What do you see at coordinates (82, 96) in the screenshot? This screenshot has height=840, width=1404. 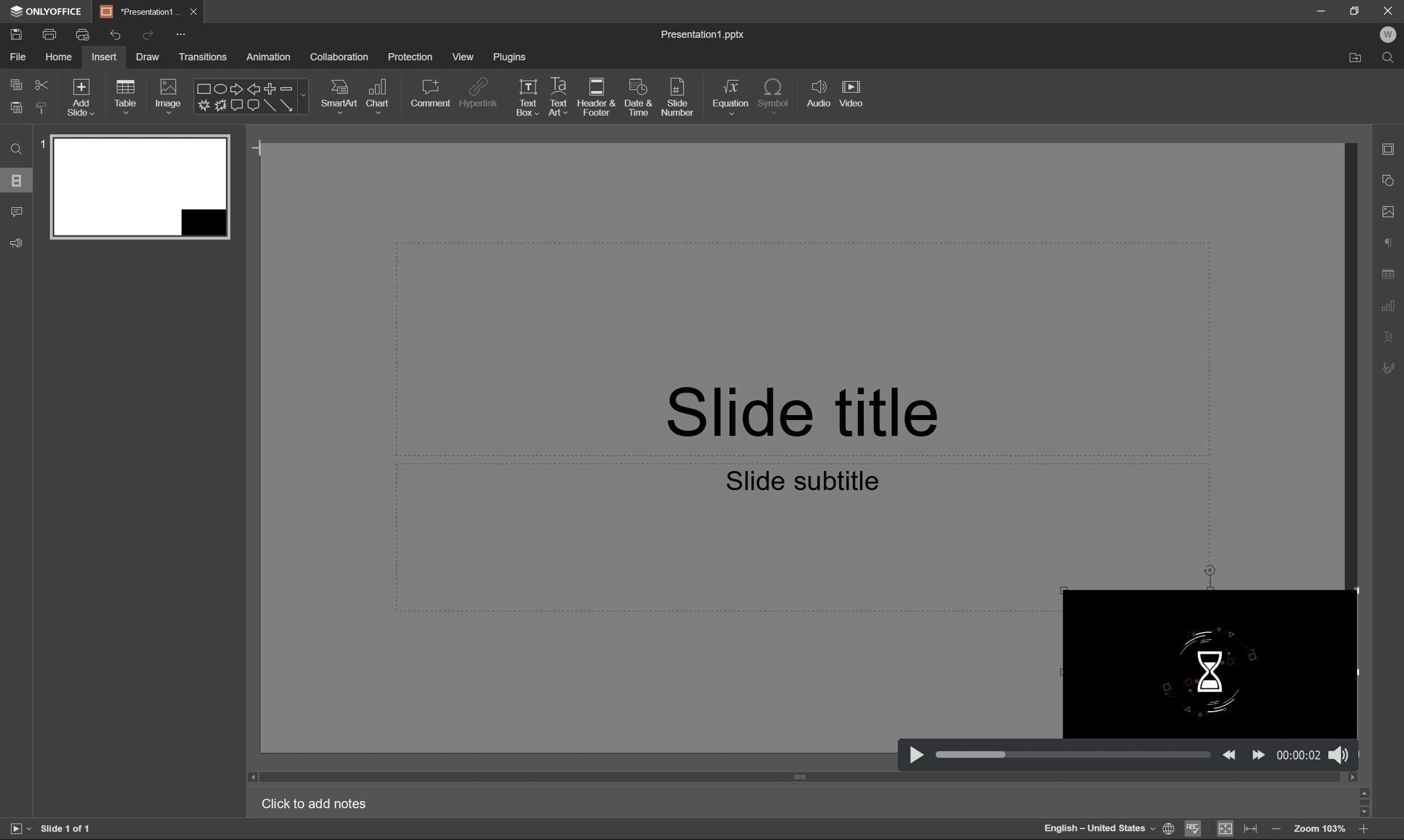 I see `add slide` at bounding box center [82, 96].